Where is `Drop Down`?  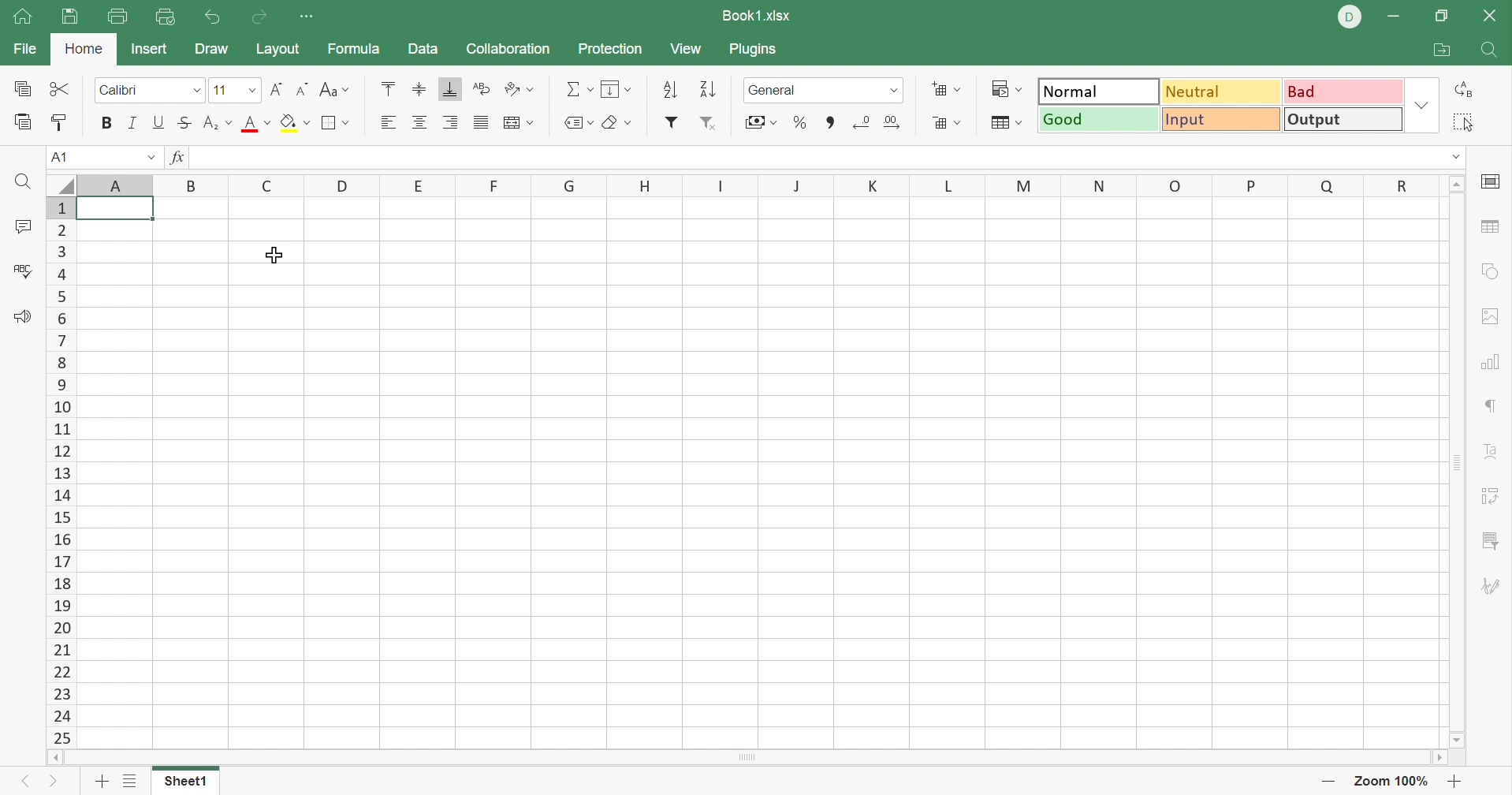 Drop Down is located at coordinates (1455, 156).